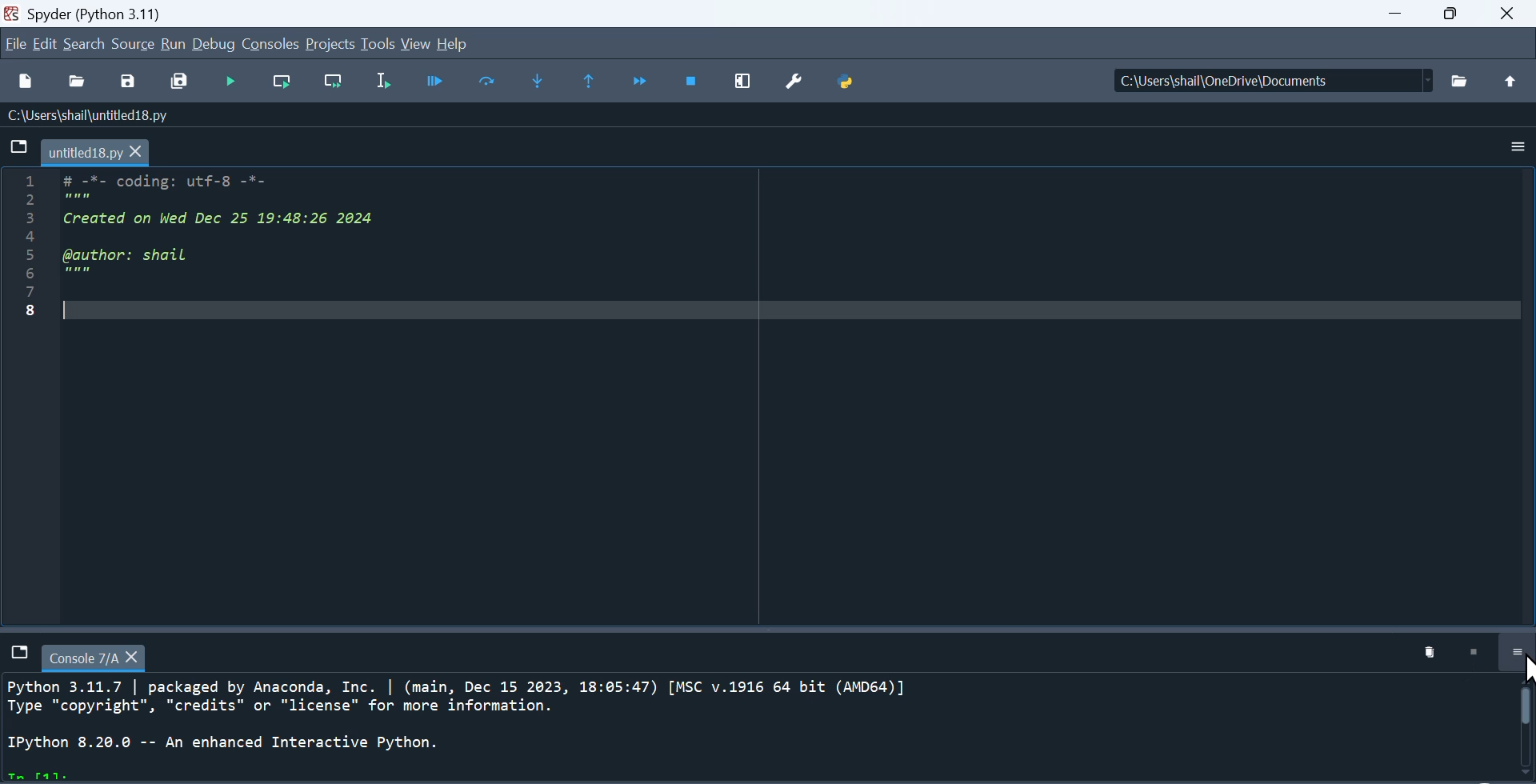 This screenshot has width=1536, height=784. Describe the element at coordinates (1434, 654) in the screenshot. I see `delete kernel` at that location.